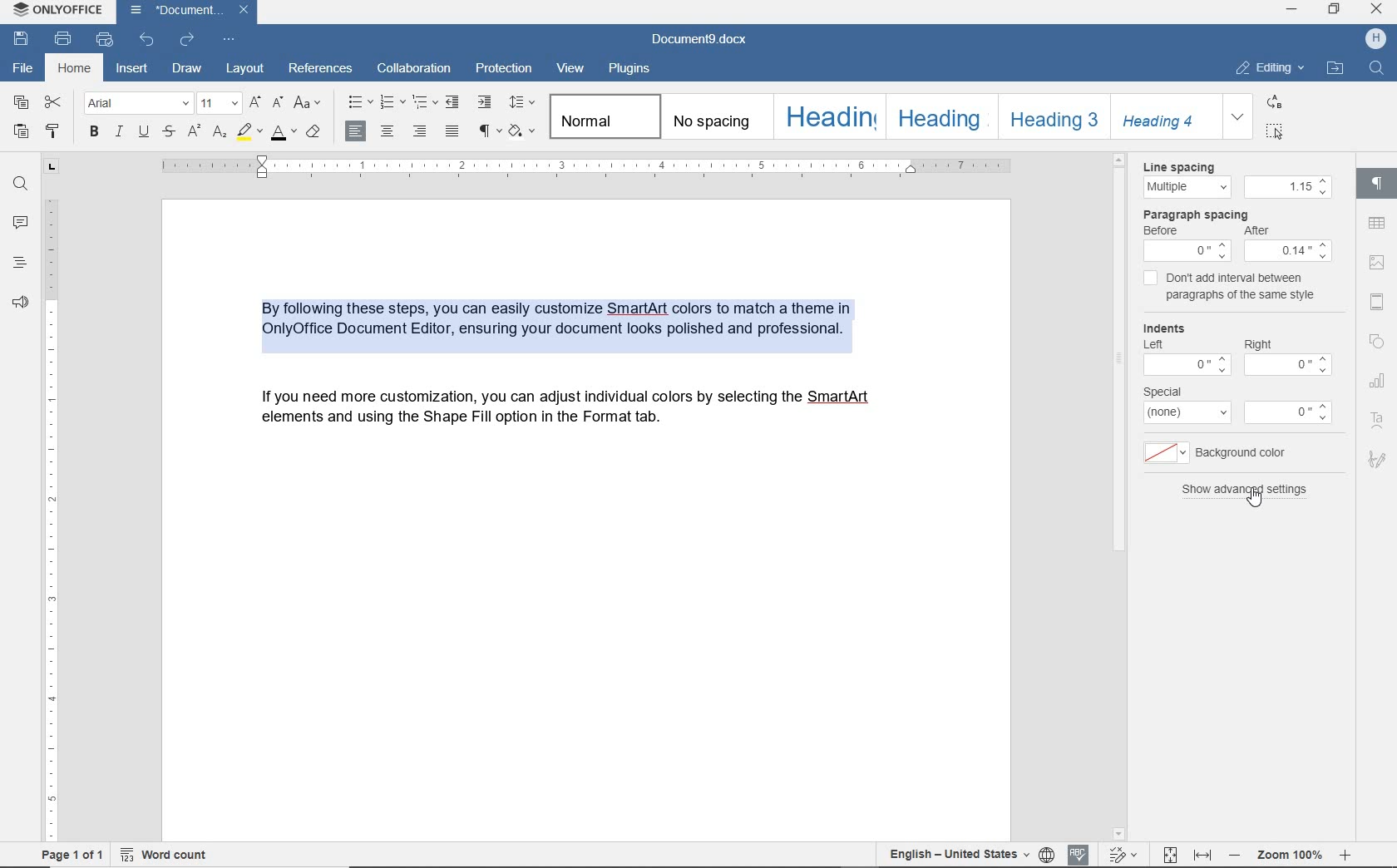 The height and width of the screenshot is (868, 1397). I want to click on highlight color, so click(249, 133).